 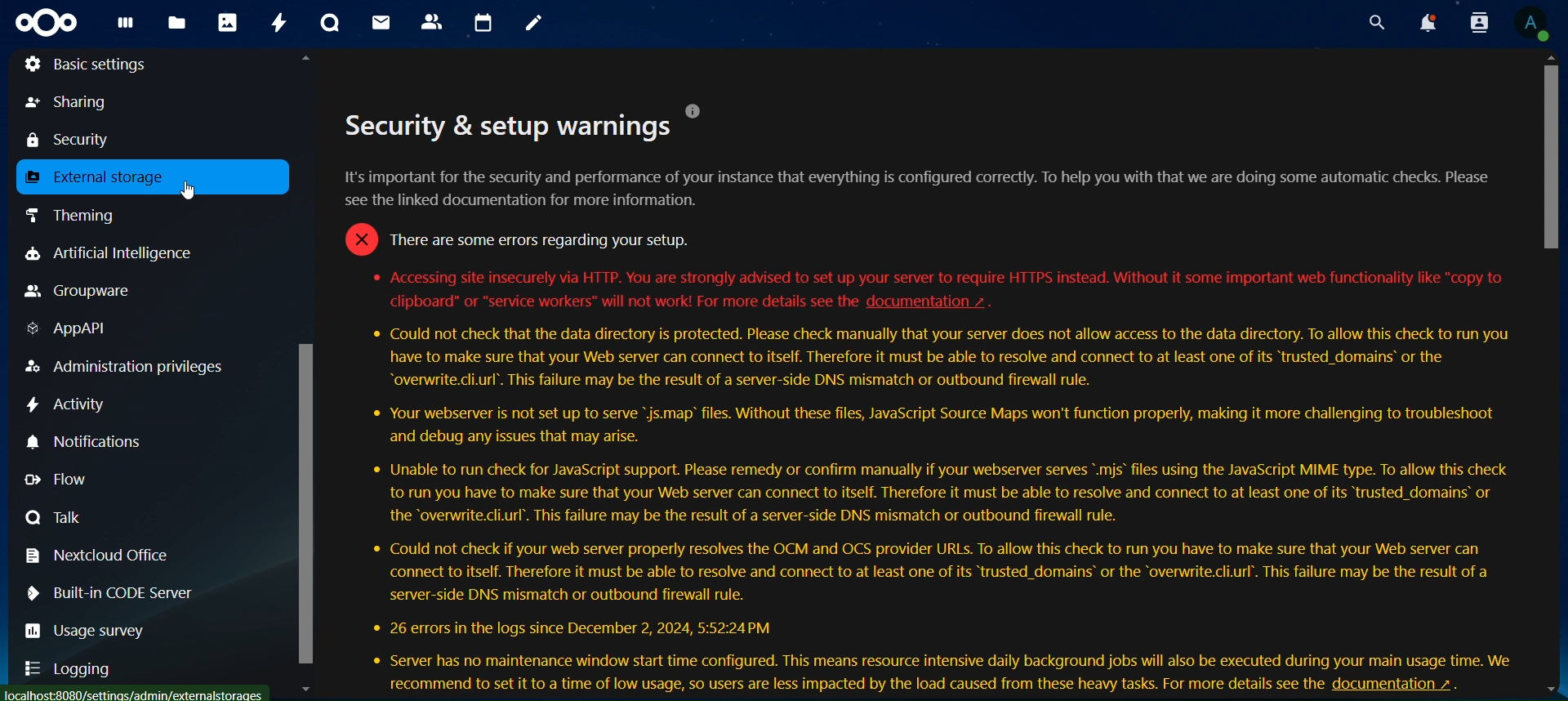 I want to click on calendar, so click(x=484, y=21).